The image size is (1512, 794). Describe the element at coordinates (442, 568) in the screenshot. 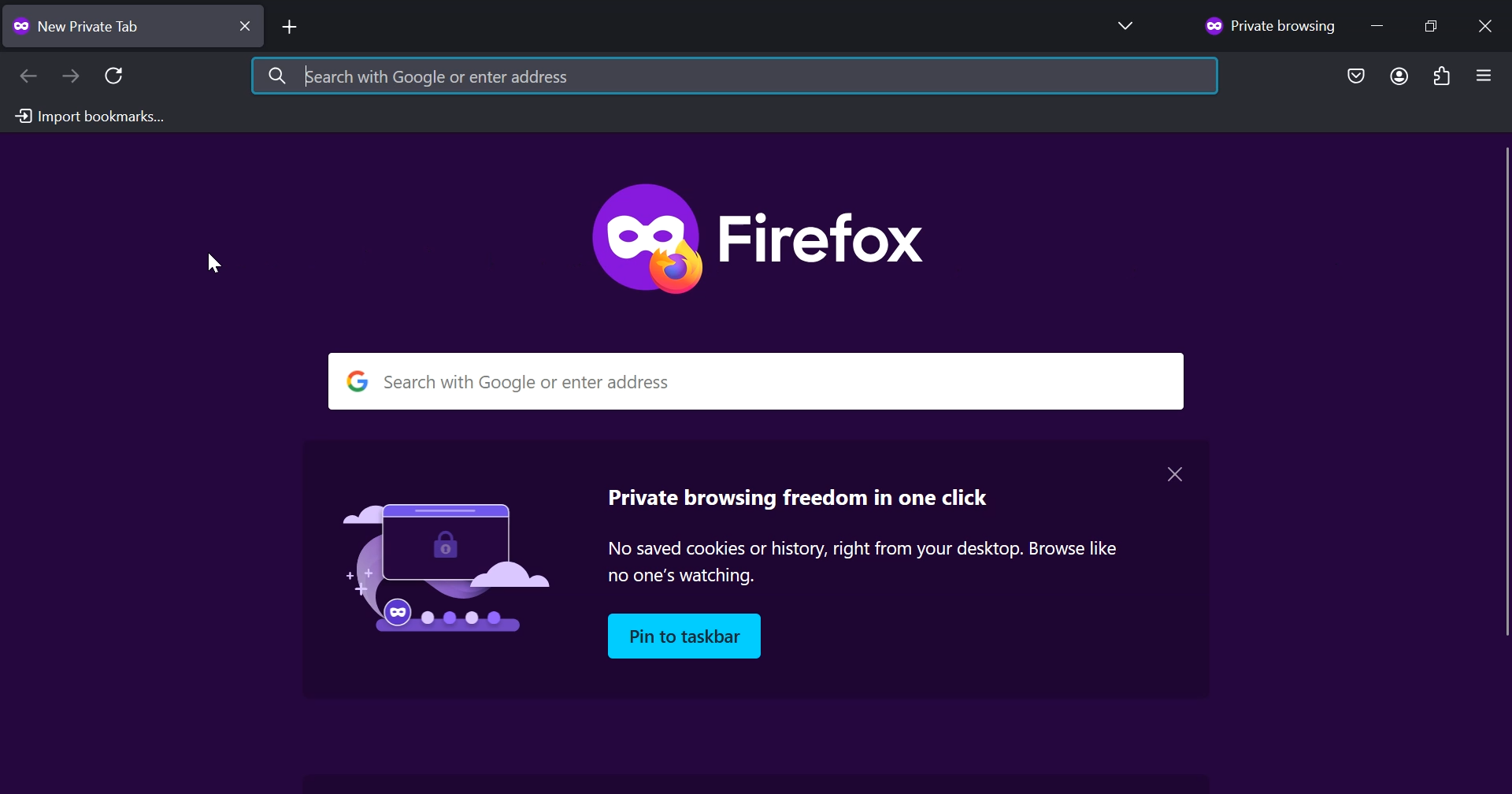

I see `Image` at that location.